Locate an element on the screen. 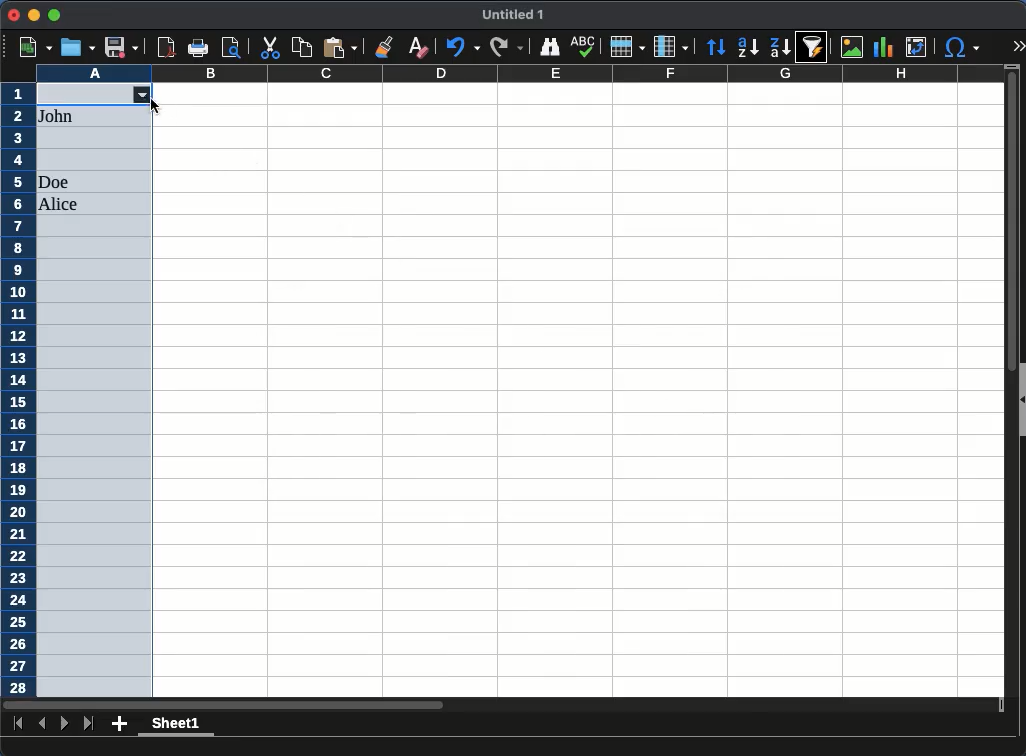 Image resolution: width=1026 pixels, height=756 pixels. scroll is located at coordinates (1005, 389).